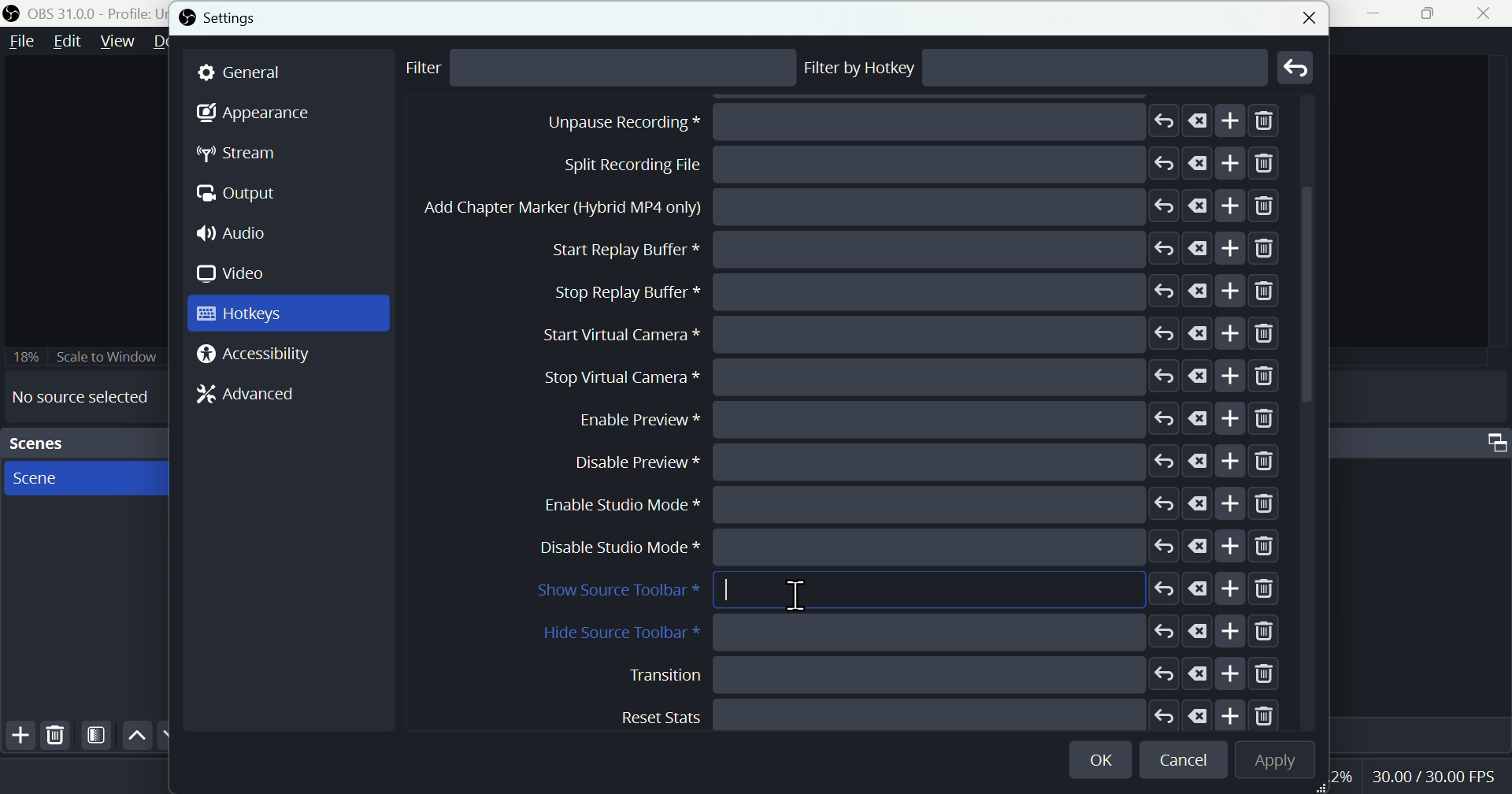  Describe the element at coordinates (854, 209) in the screenshot. I see `Stop recording` at that location.